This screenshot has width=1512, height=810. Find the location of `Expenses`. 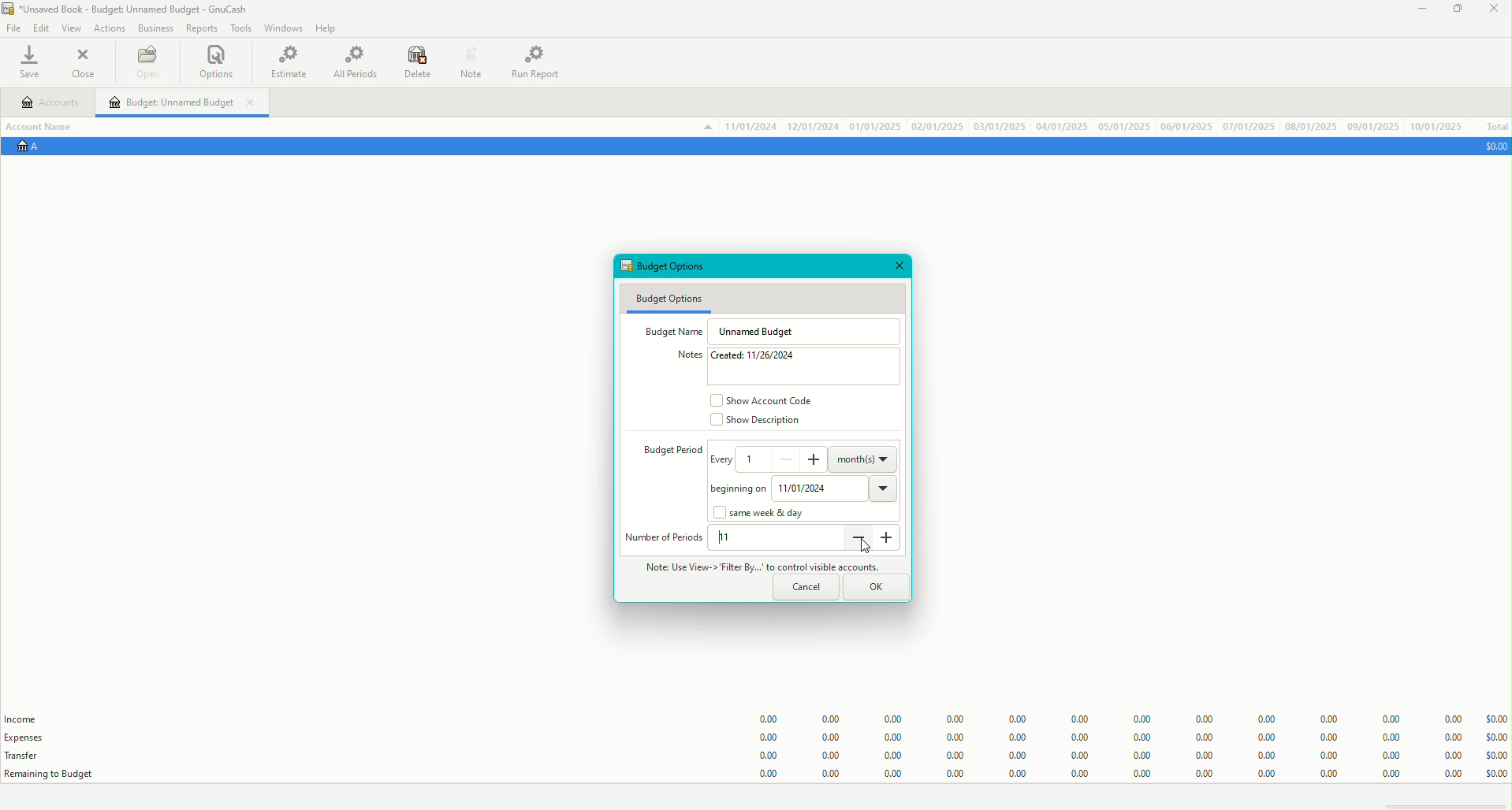

Expenses is located at coordinates (31, 738).